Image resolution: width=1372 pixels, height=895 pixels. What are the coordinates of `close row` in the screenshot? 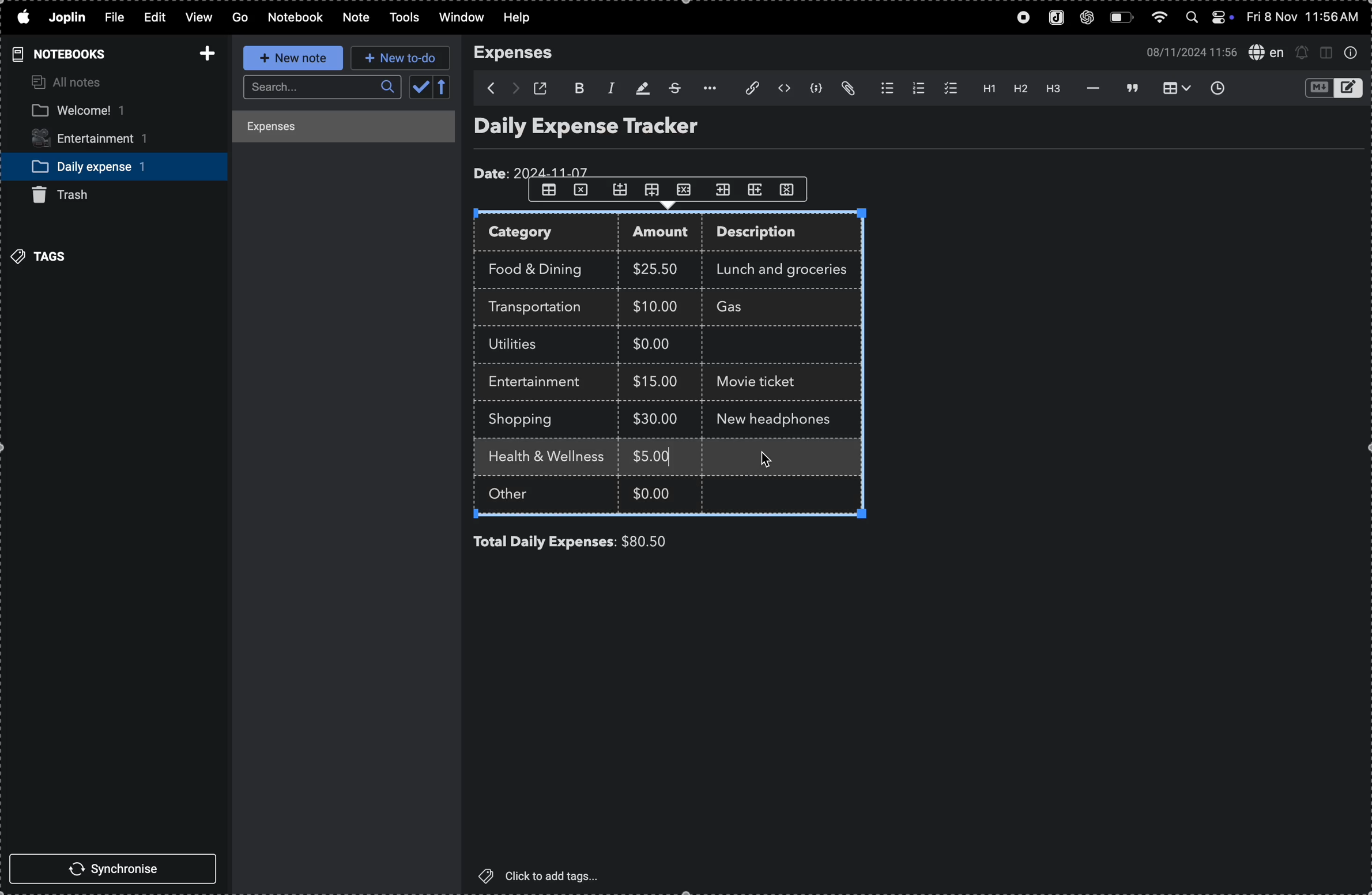 It's located at (582, 193).